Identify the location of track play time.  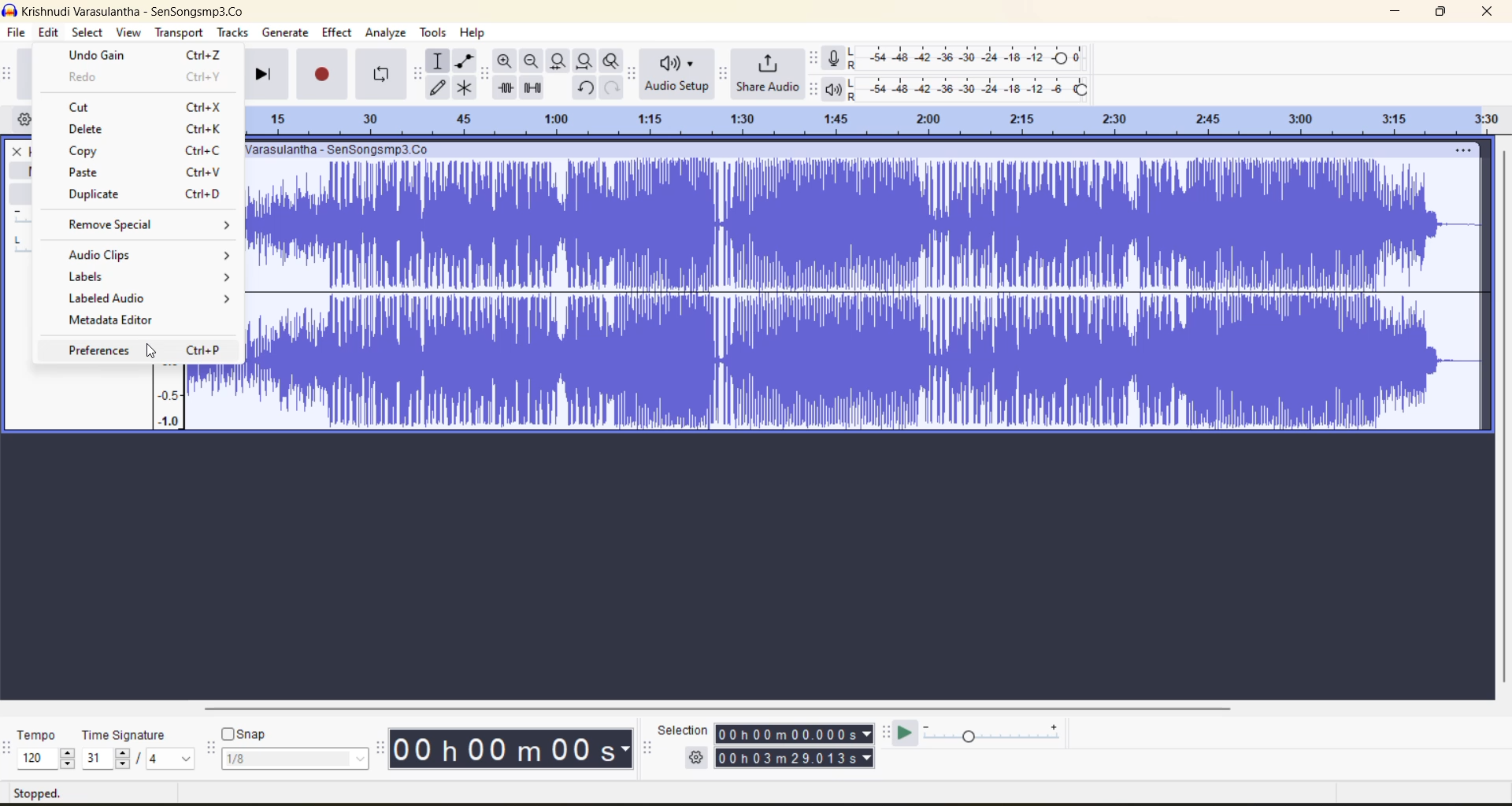
(795, 747).